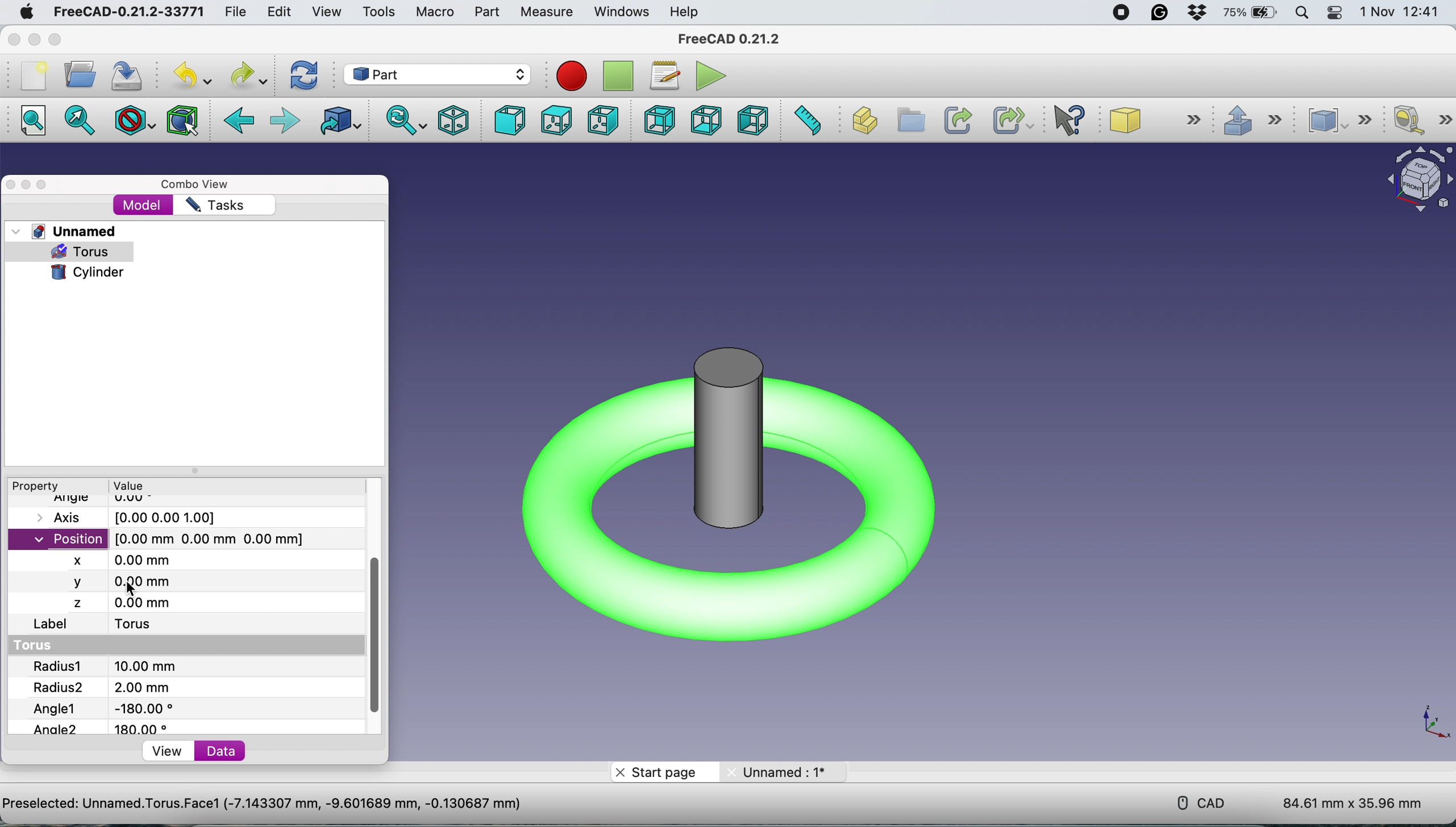 This screenshot has width=1456, height=827. Describe the element at coordinates (242, 122) in the screenshot. I see `backward` at that location.